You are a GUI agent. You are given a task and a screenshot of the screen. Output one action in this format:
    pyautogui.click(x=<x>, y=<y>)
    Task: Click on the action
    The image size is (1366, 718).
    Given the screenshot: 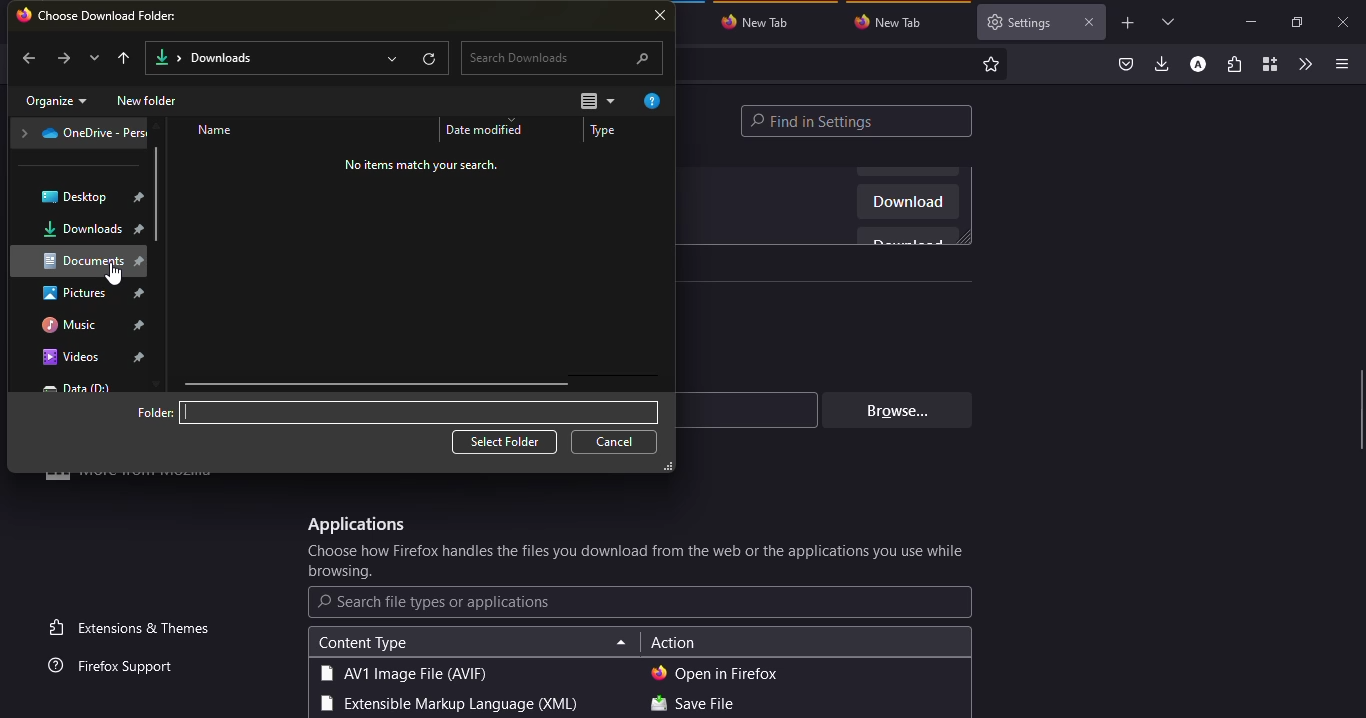 What is the action you would take?
    pyautogui.click(x=673, y=644)
    